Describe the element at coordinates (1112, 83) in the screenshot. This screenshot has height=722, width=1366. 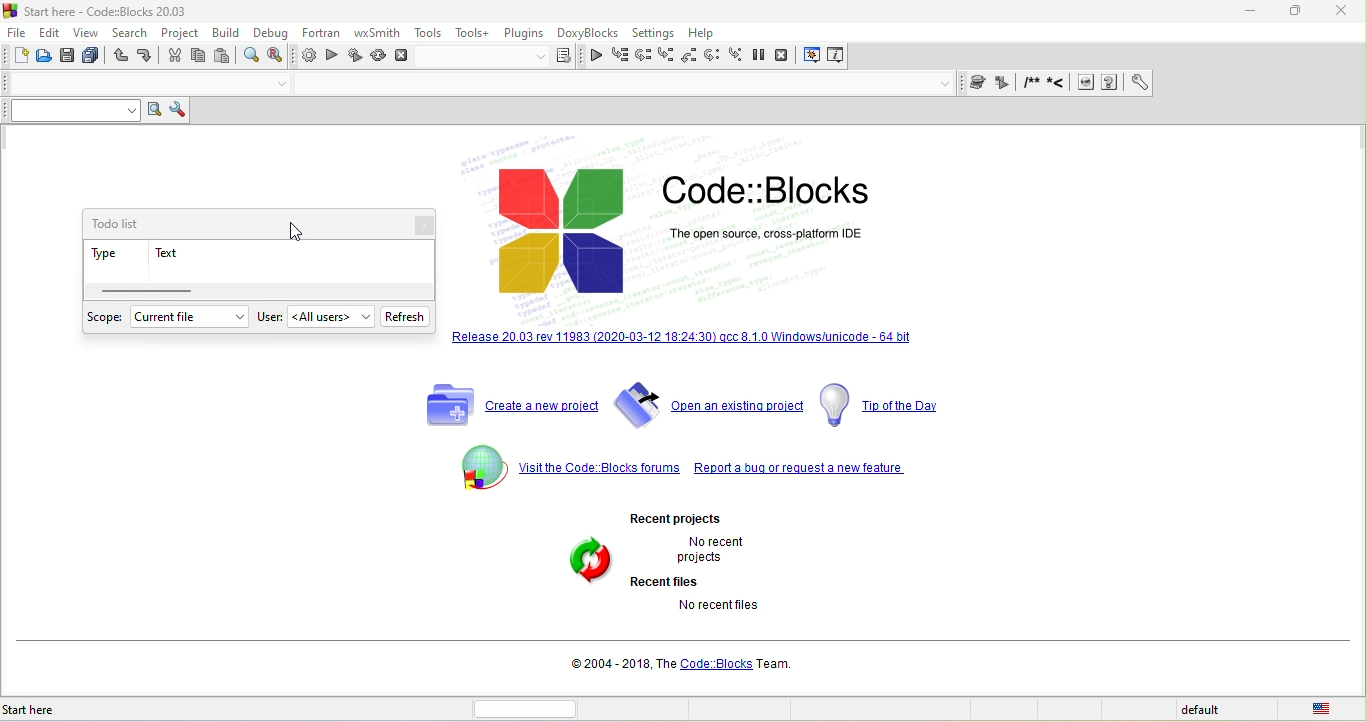
I see `run chm` at that location.